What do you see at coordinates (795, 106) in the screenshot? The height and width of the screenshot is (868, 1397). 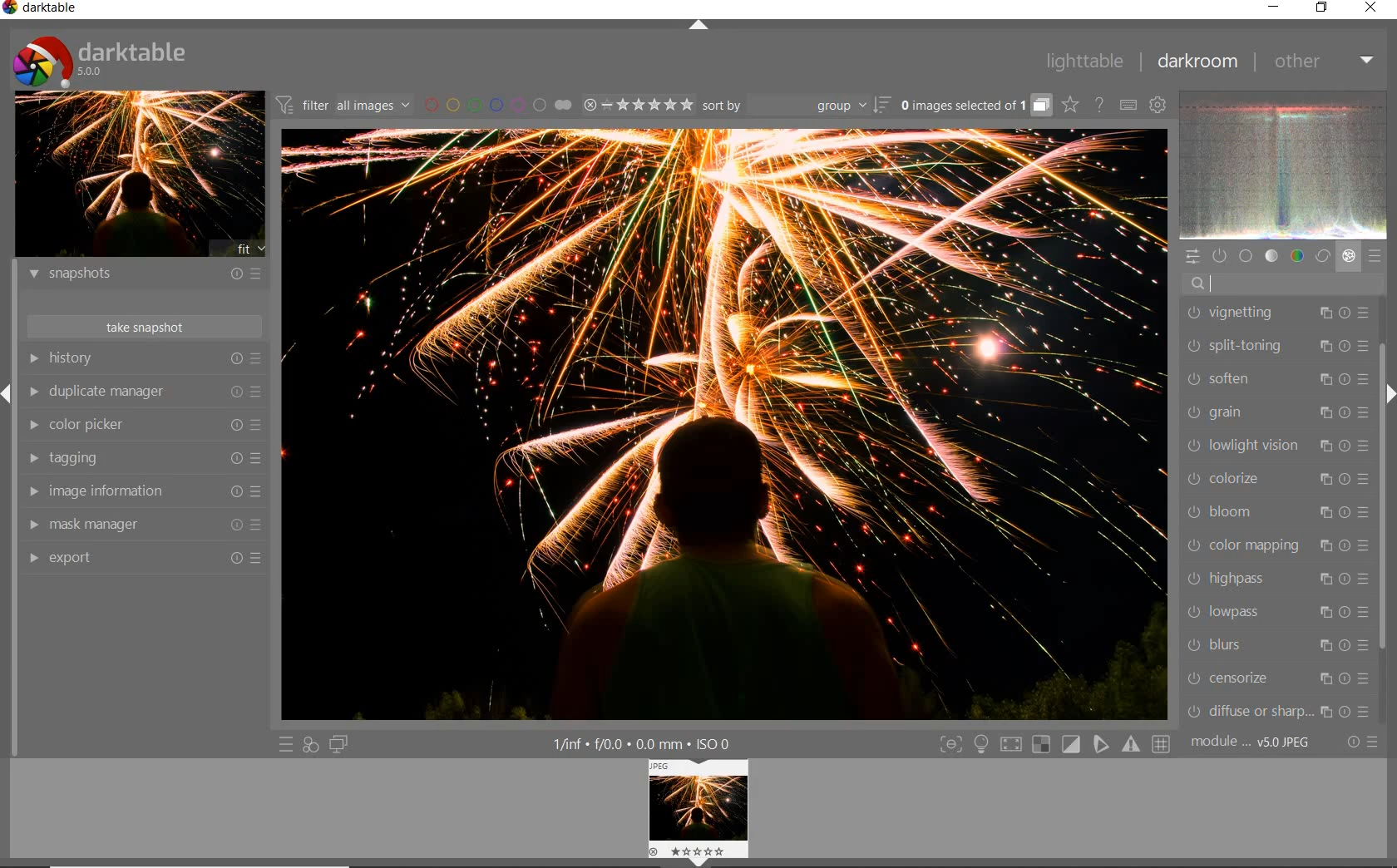 I see `sort` at bounding box center [795, 106].